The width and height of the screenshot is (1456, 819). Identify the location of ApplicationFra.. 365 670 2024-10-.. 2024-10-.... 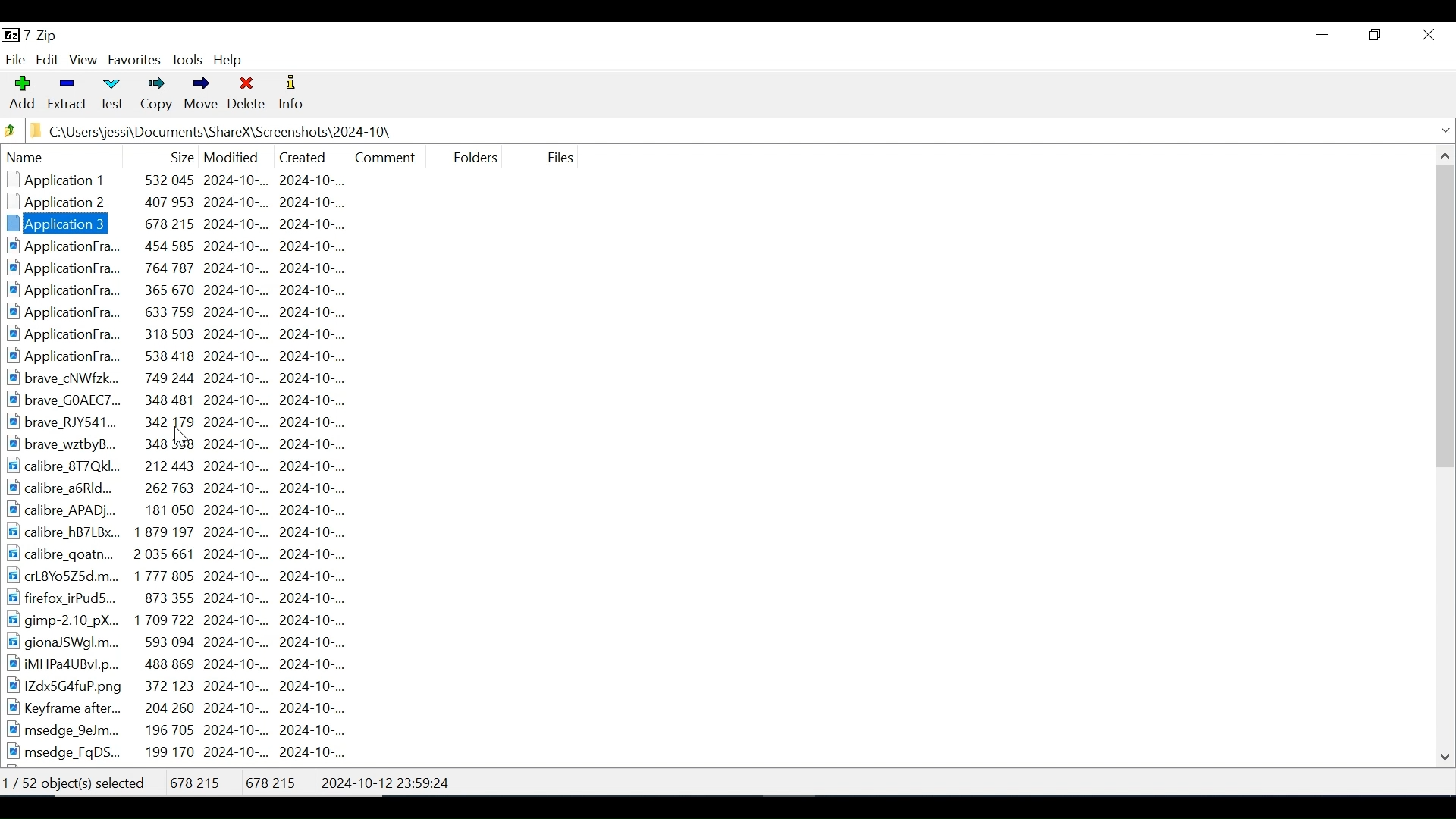
(186, 290).